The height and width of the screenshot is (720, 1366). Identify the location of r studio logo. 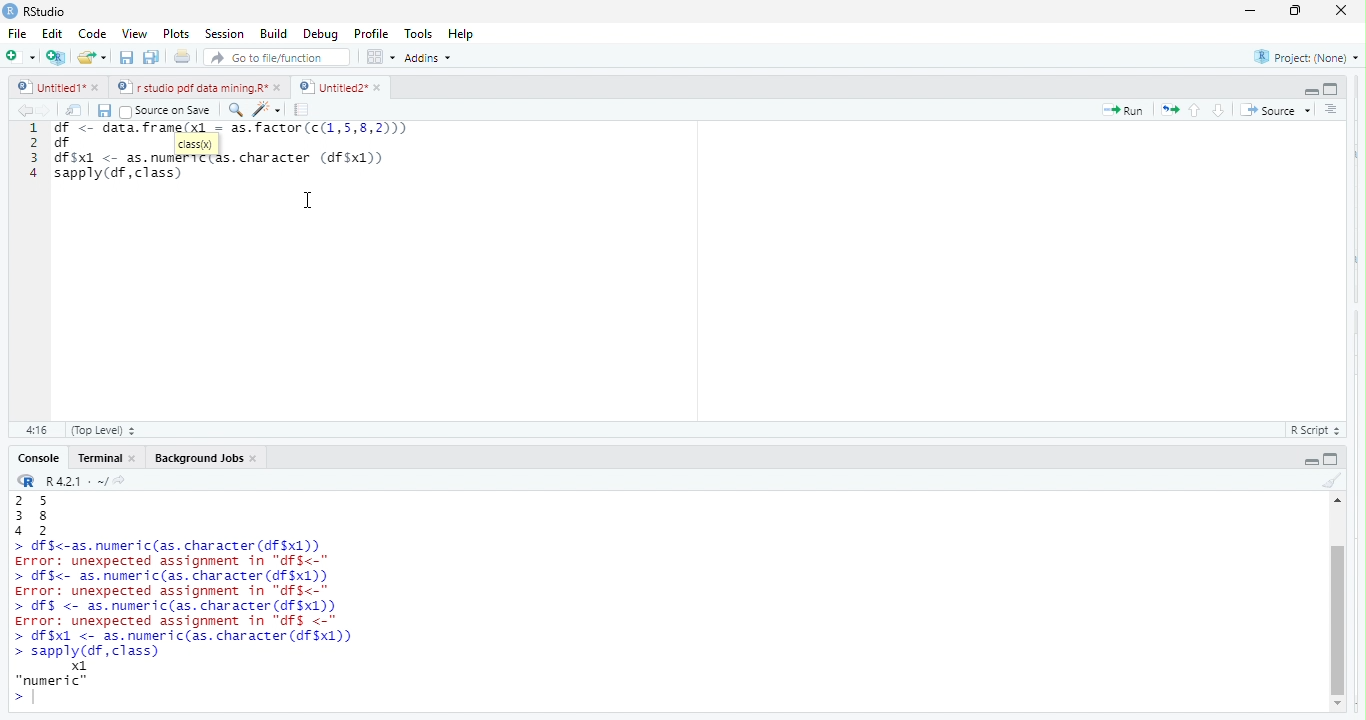
(9, 10).